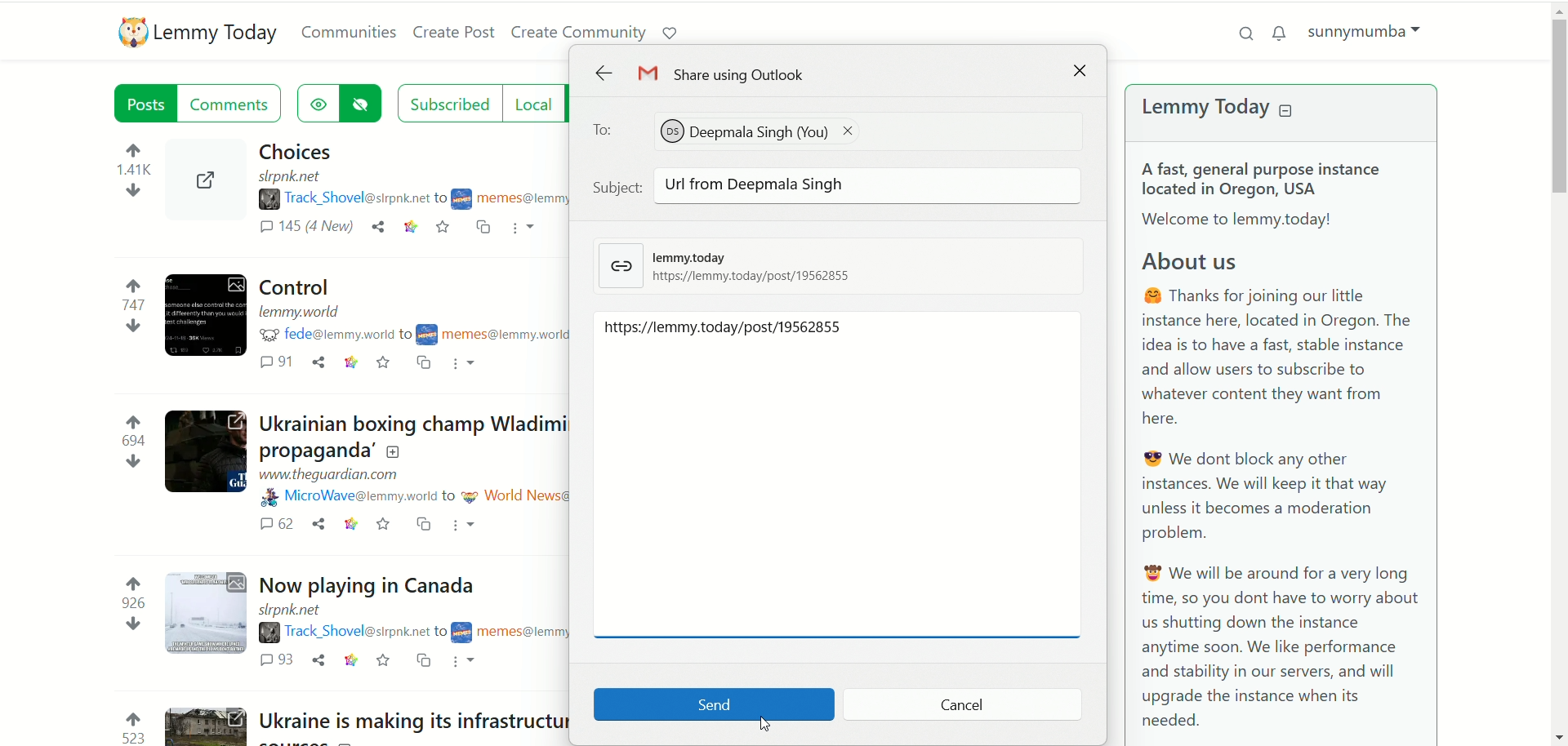 This screenshot has height=746, width=1568. What do you see at coordinates (769, 726) in the screenshot?
I see `pointer` at bounding box center [769, 726].